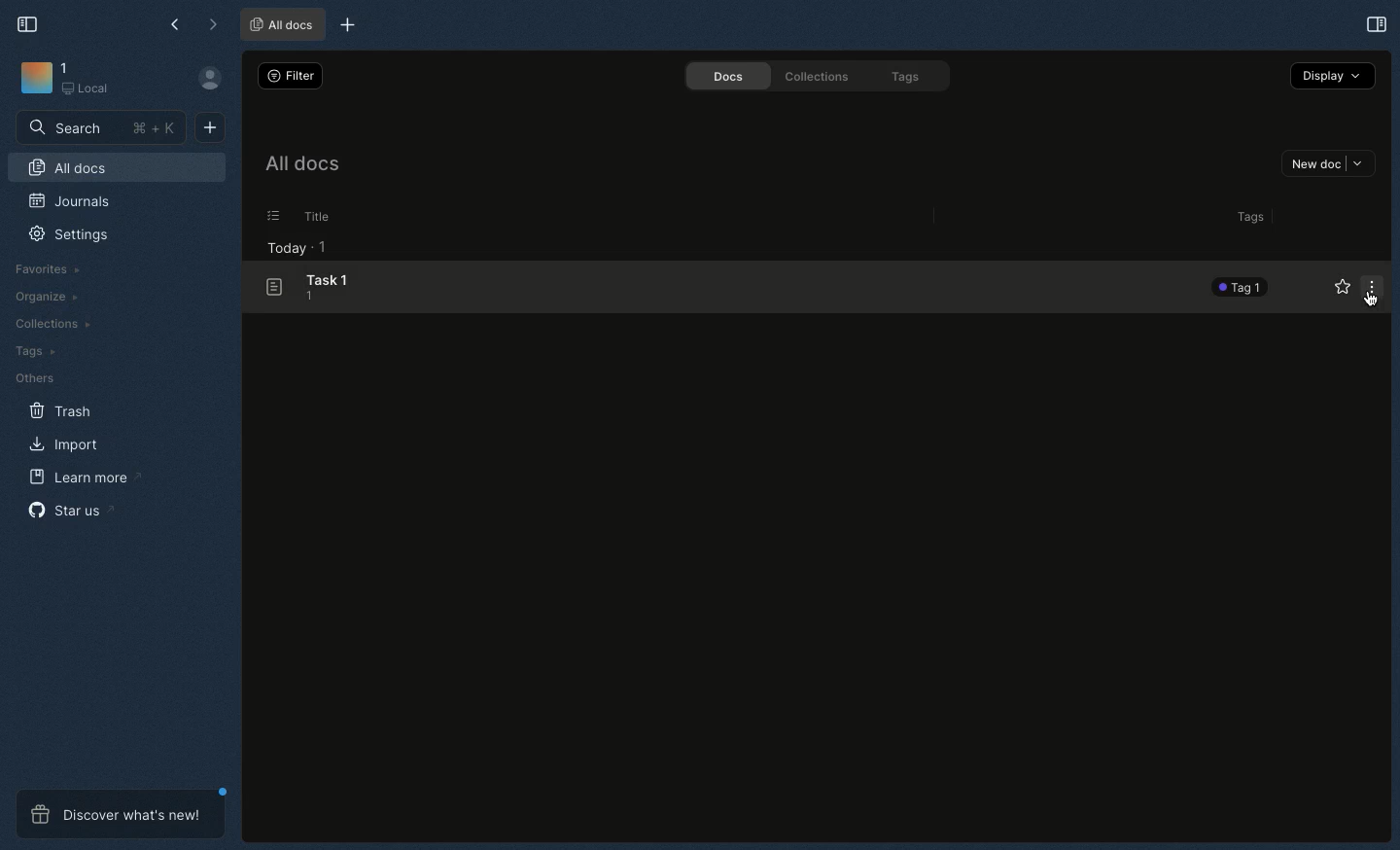 This screenshot has height=850, width=1400. I want to click on 1 , so click(326, 246).